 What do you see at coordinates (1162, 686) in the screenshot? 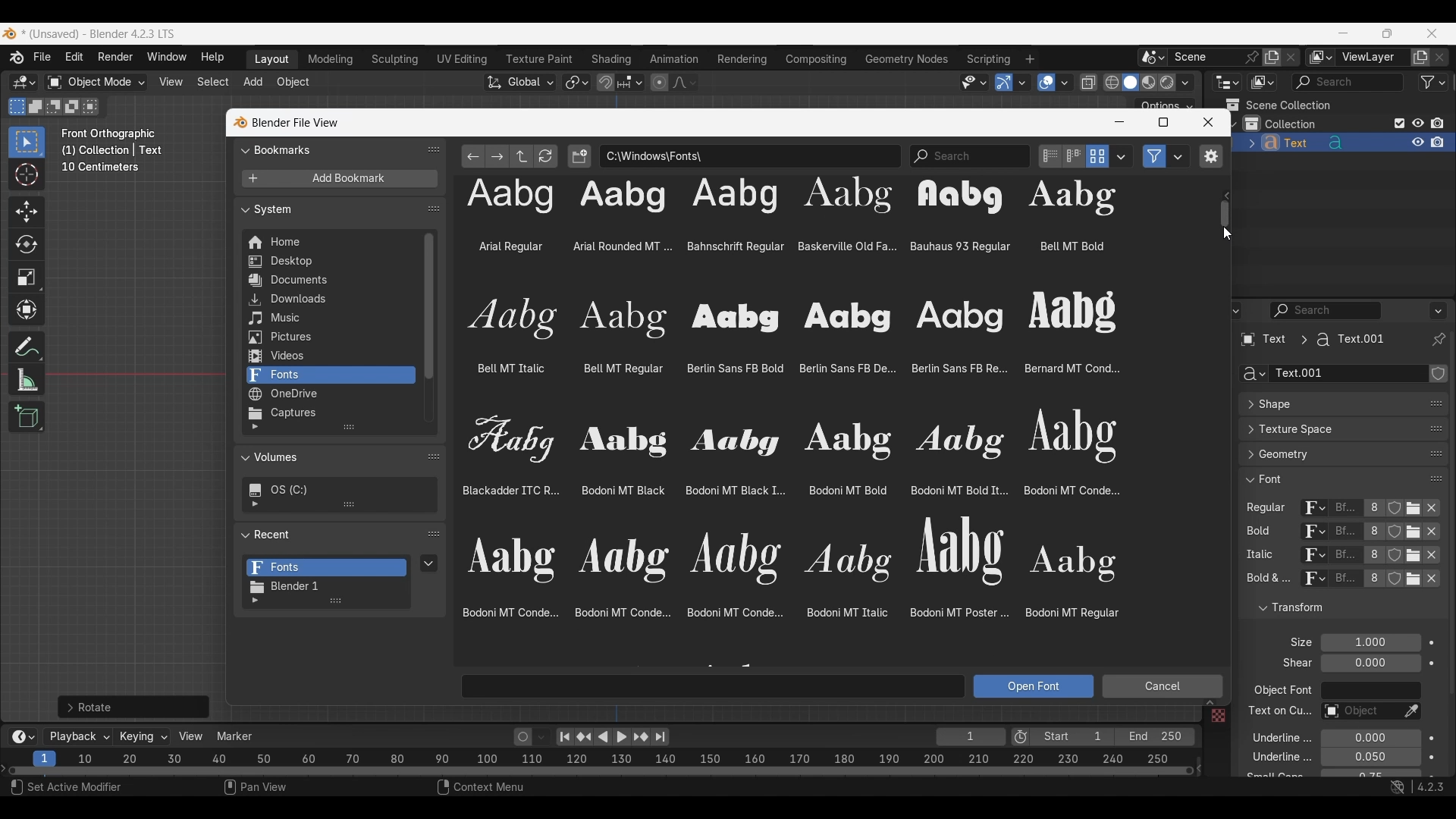
I see `Cancel selected option` at bounding box center [1162, 686].